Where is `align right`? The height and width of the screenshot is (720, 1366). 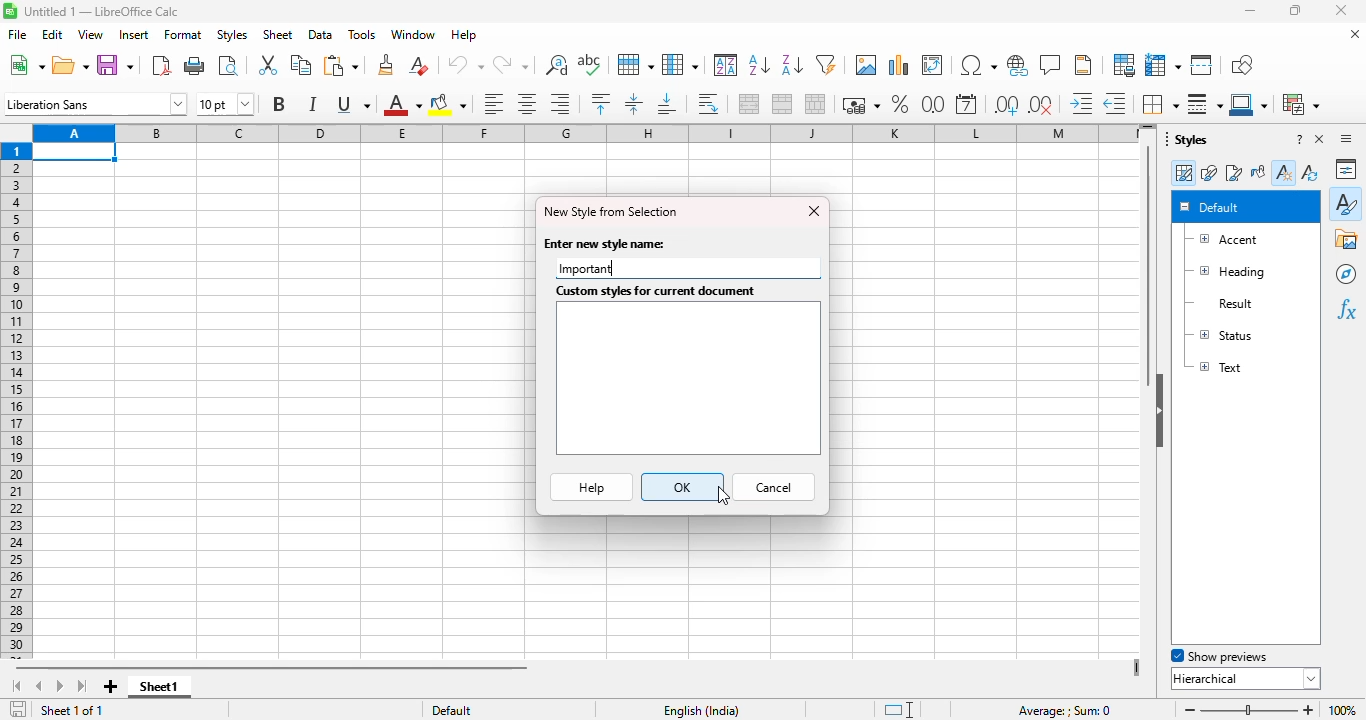
align right is located at coordinates (559, 103).